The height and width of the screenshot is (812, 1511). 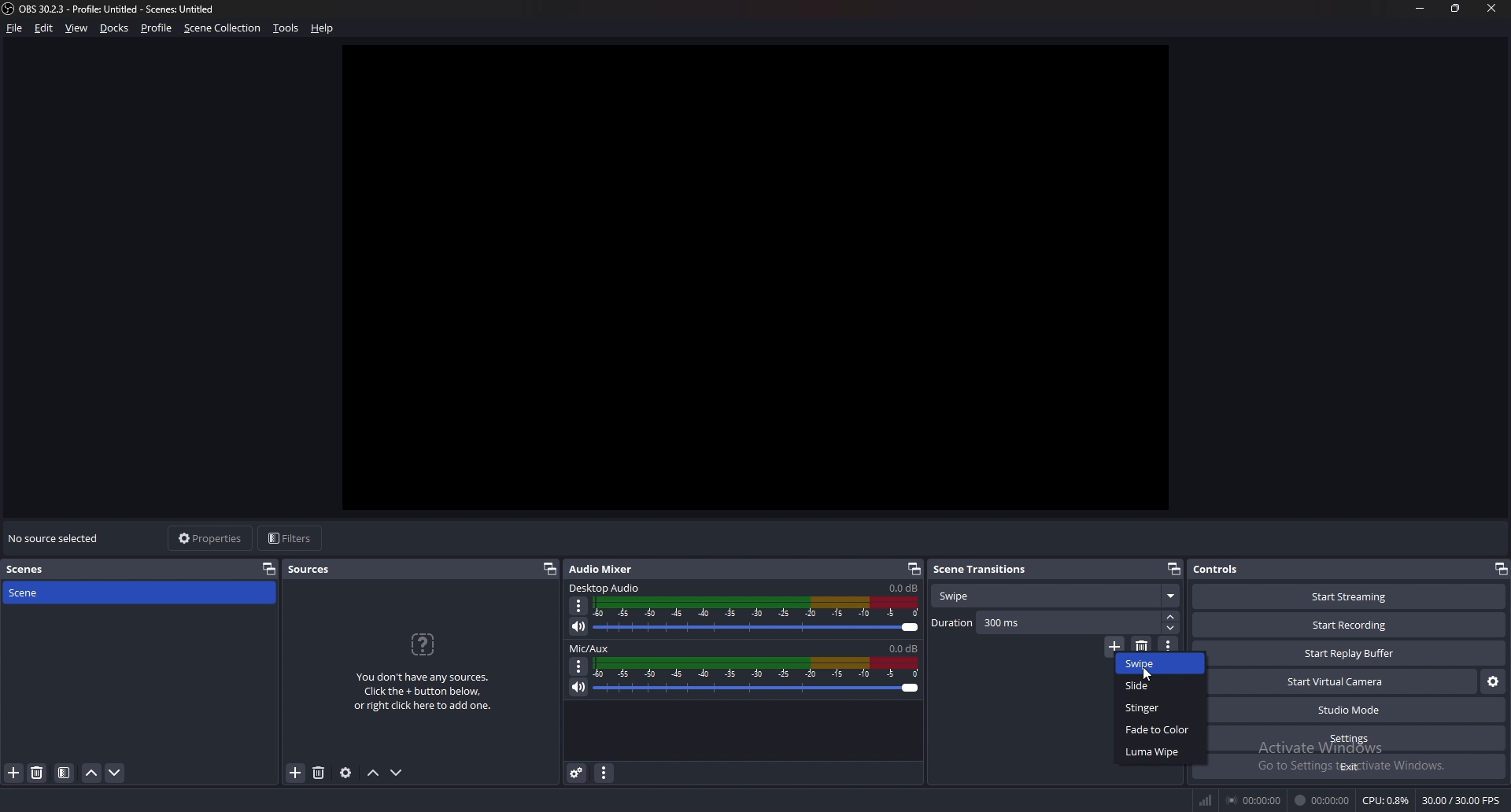 What do you see at coordinates (1489, 9) in the screenshot?
I see `close` at bounding box center [1489, 9].